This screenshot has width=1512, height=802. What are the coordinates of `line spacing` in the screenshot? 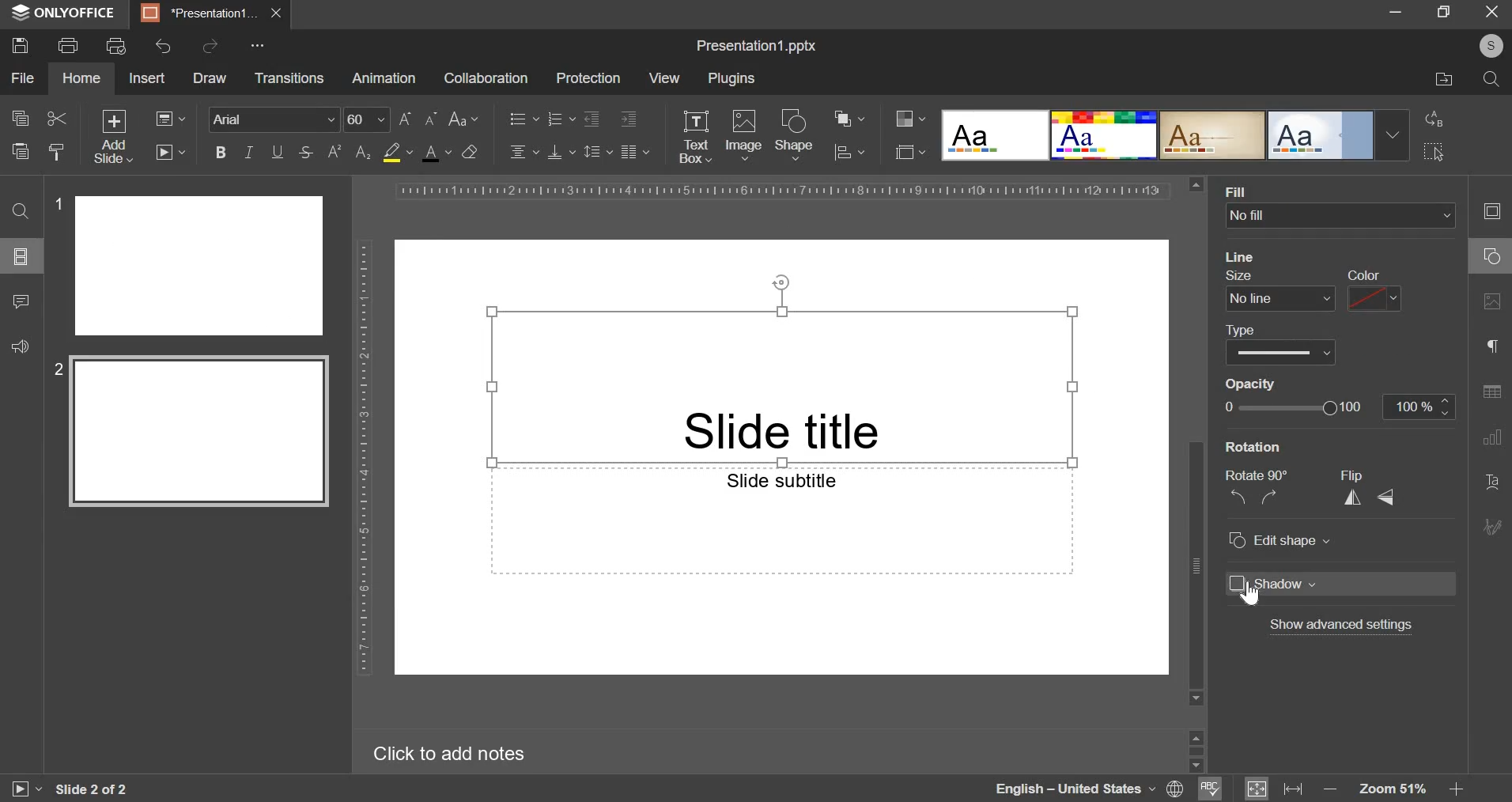 It's located at (599, 150).